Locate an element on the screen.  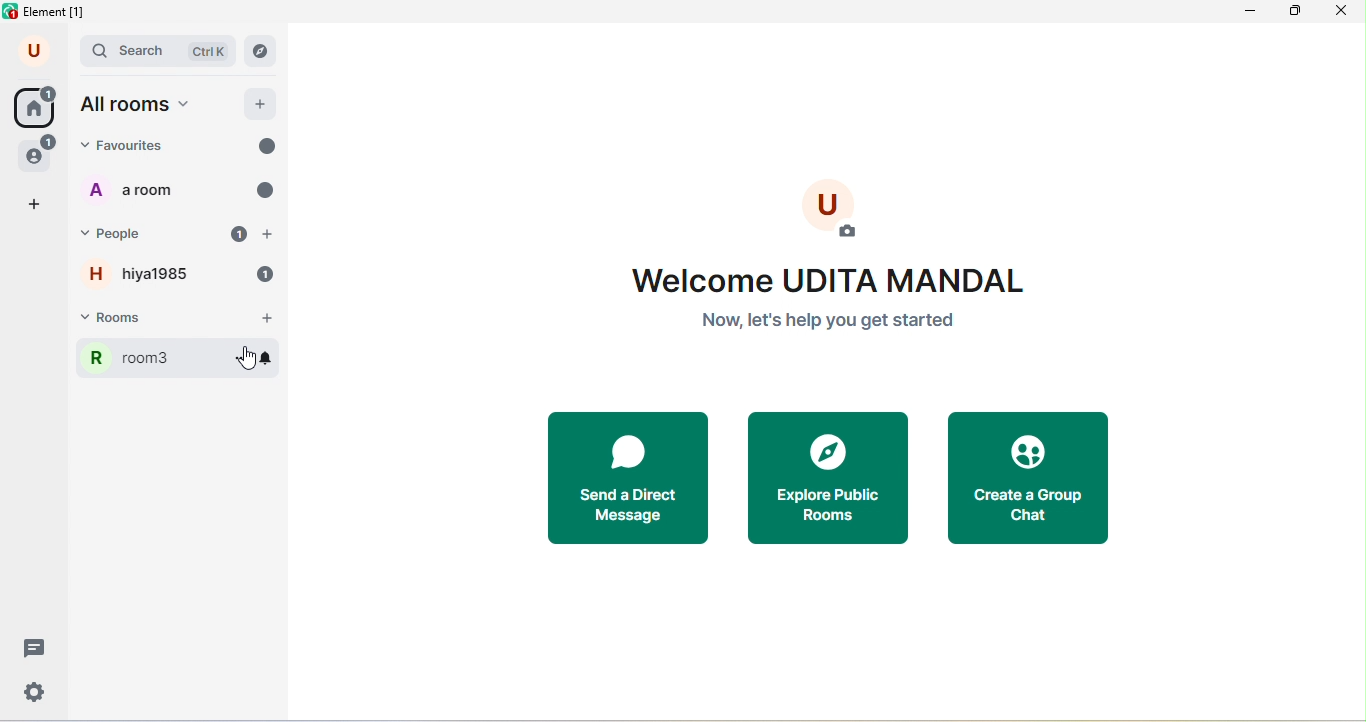
unread message symbol is located at coordinates (263, 190).